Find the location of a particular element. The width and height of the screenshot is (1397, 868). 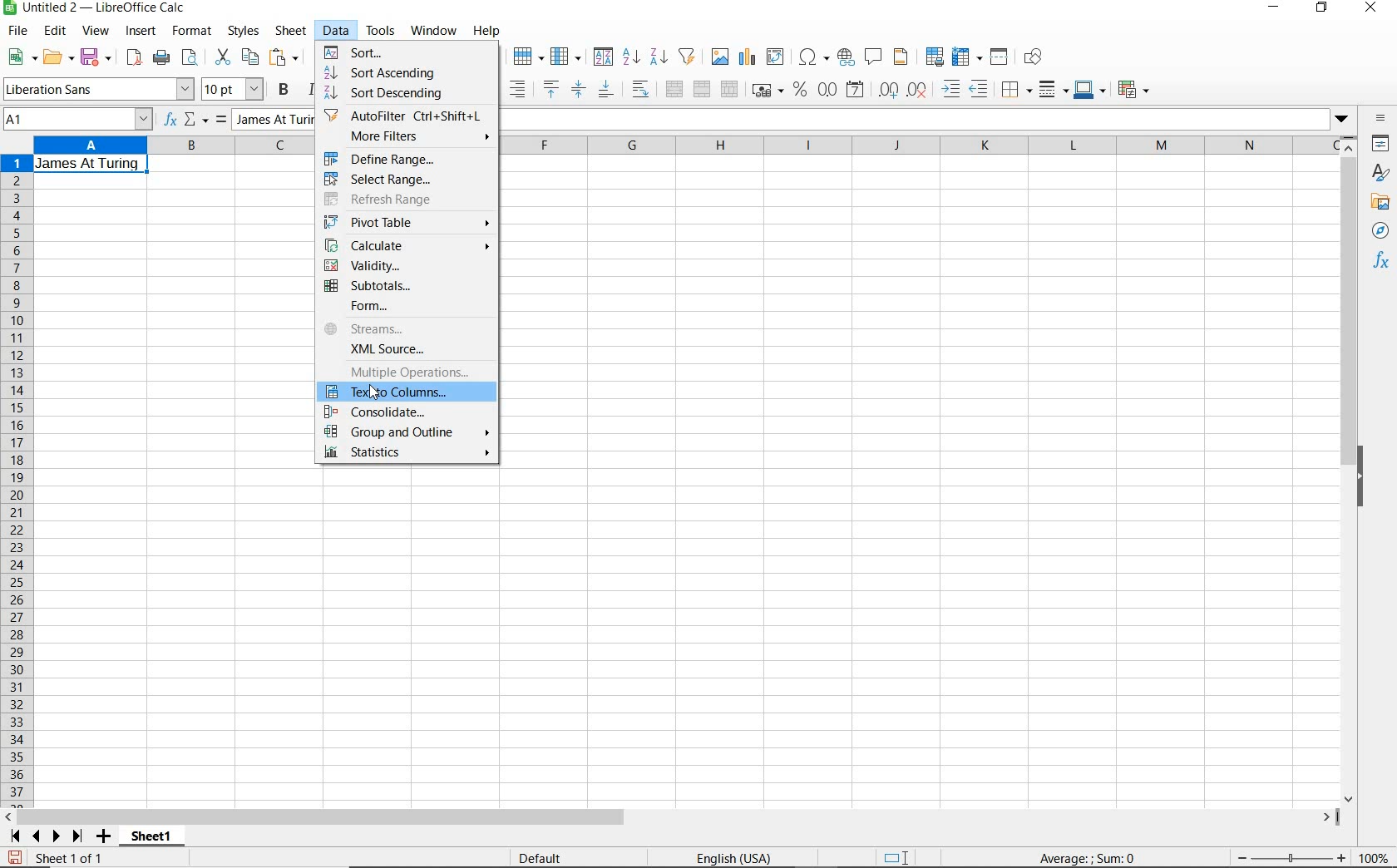

define print area is located at coordinates (933, 57).